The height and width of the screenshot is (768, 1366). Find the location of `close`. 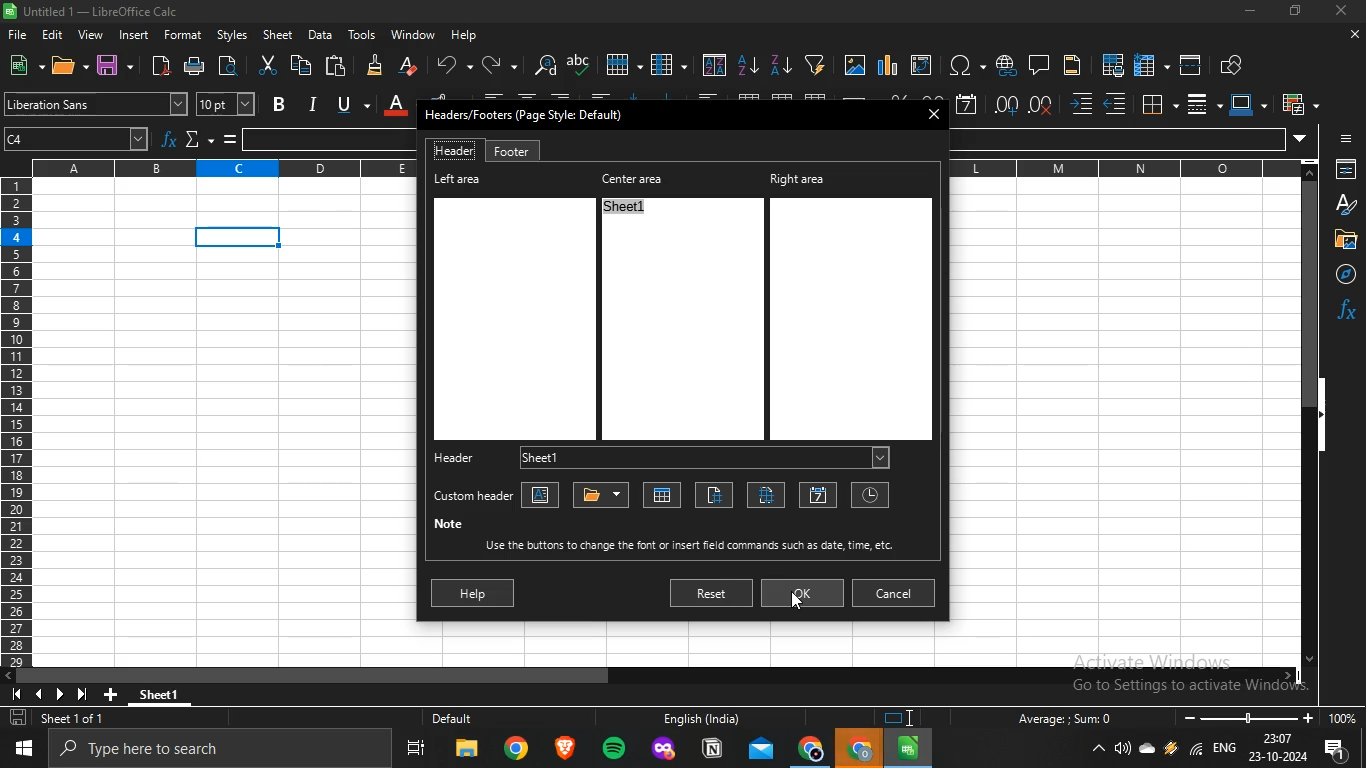

close is located at coordinates (1353, 36).